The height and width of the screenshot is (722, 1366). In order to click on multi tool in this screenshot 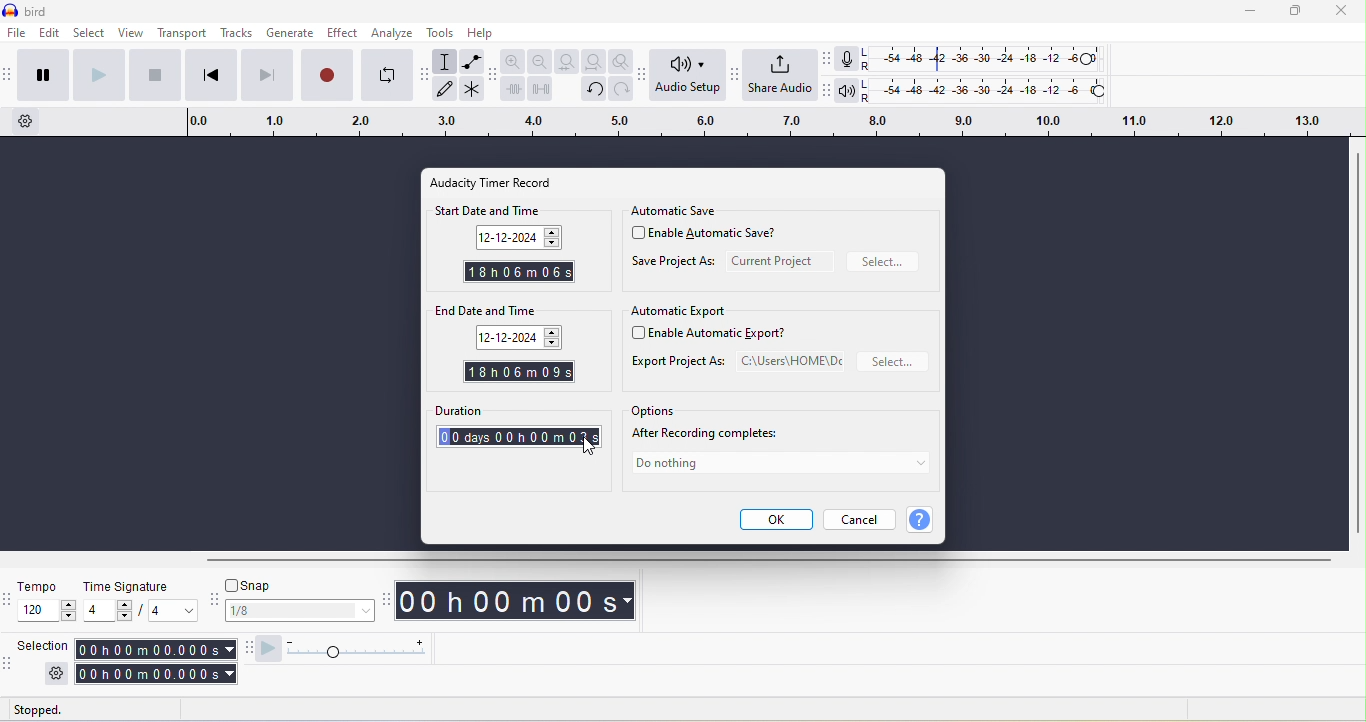, I will do `click(473, 90)`.